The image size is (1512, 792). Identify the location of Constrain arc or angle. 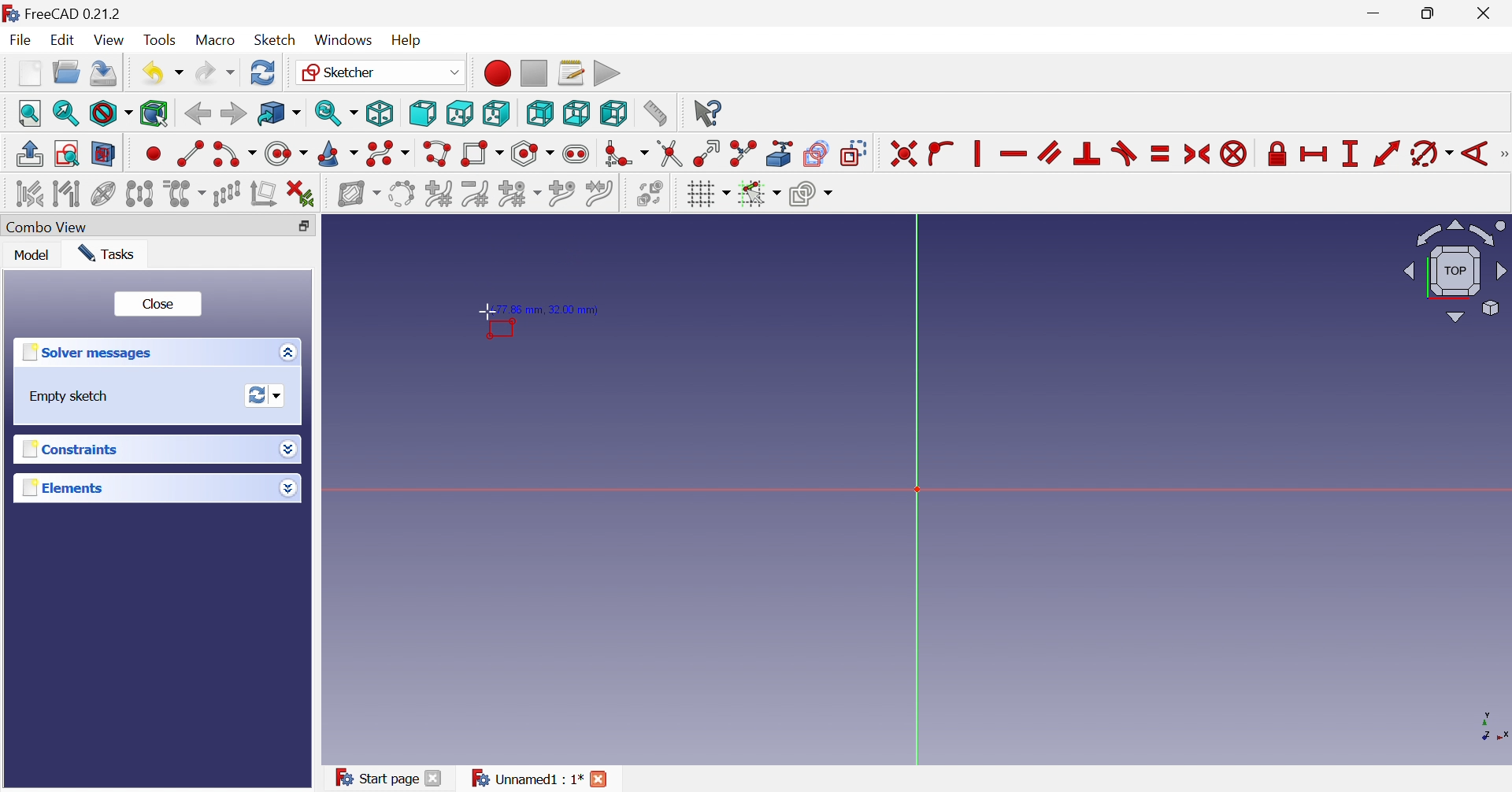
(1432, 154).